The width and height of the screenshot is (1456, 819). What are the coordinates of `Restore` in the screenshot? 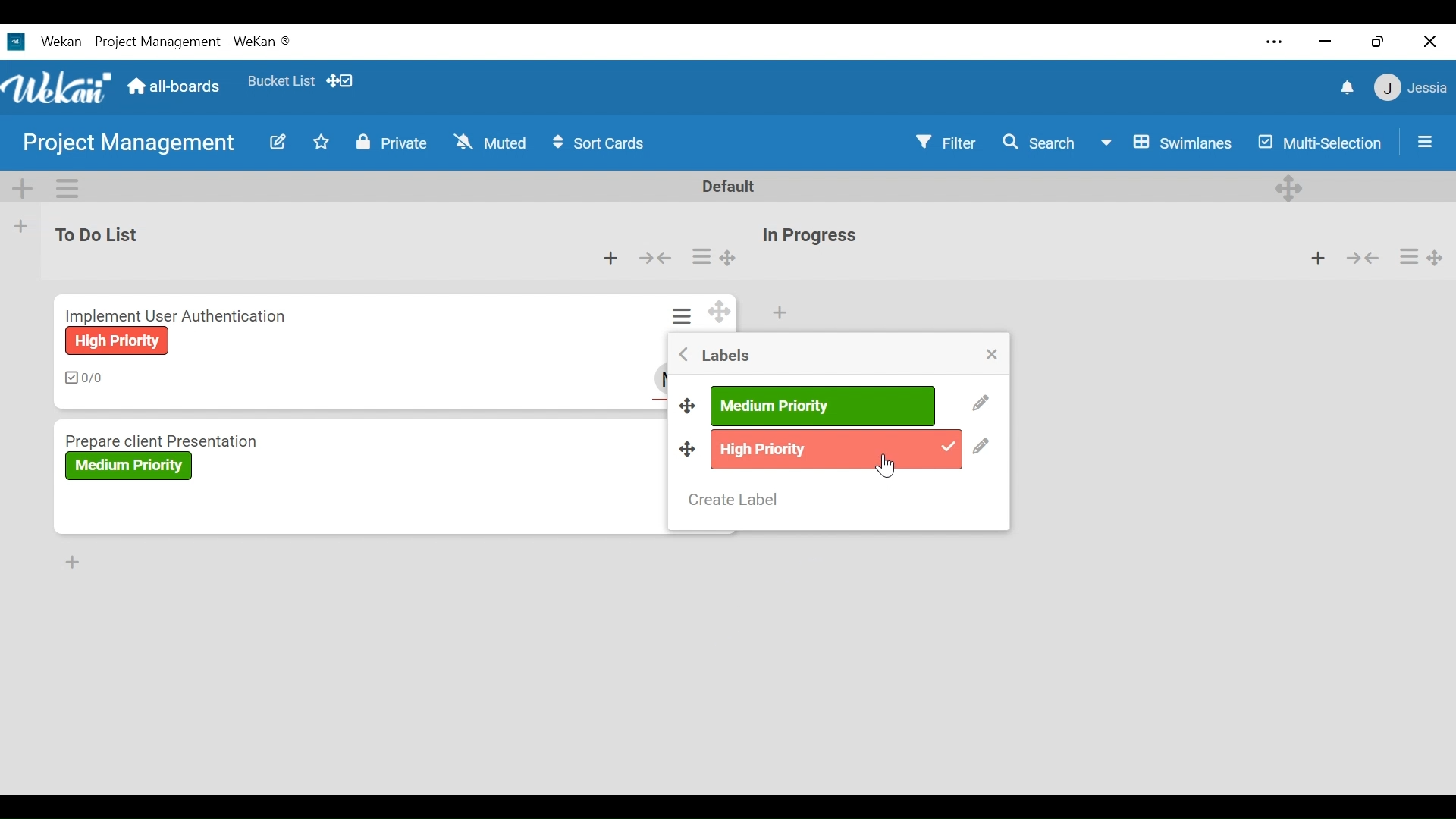 It's located at (1379, 41).